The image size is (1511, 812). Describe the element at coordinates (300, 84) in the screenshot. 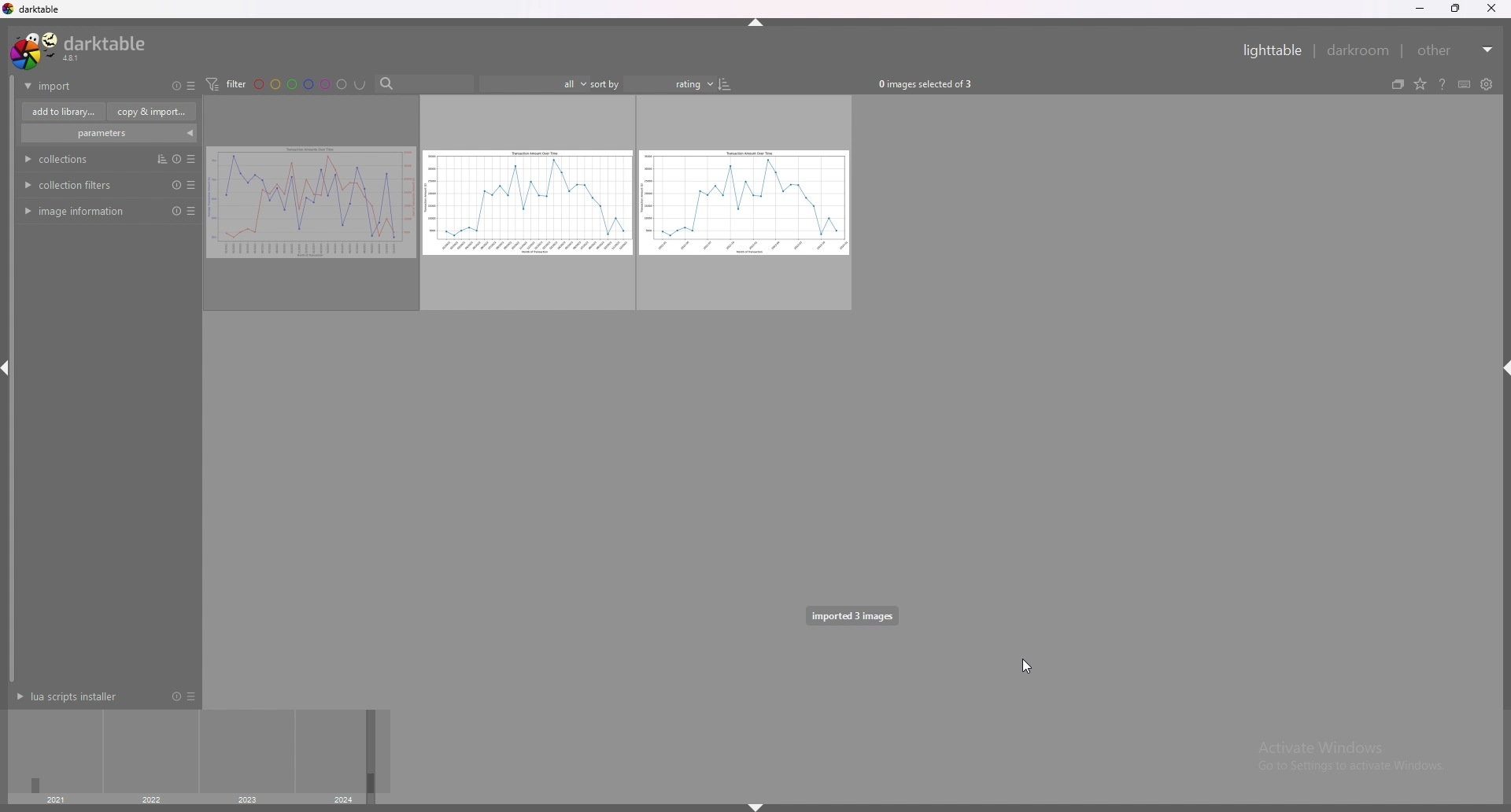

I see `color labels` at that location.